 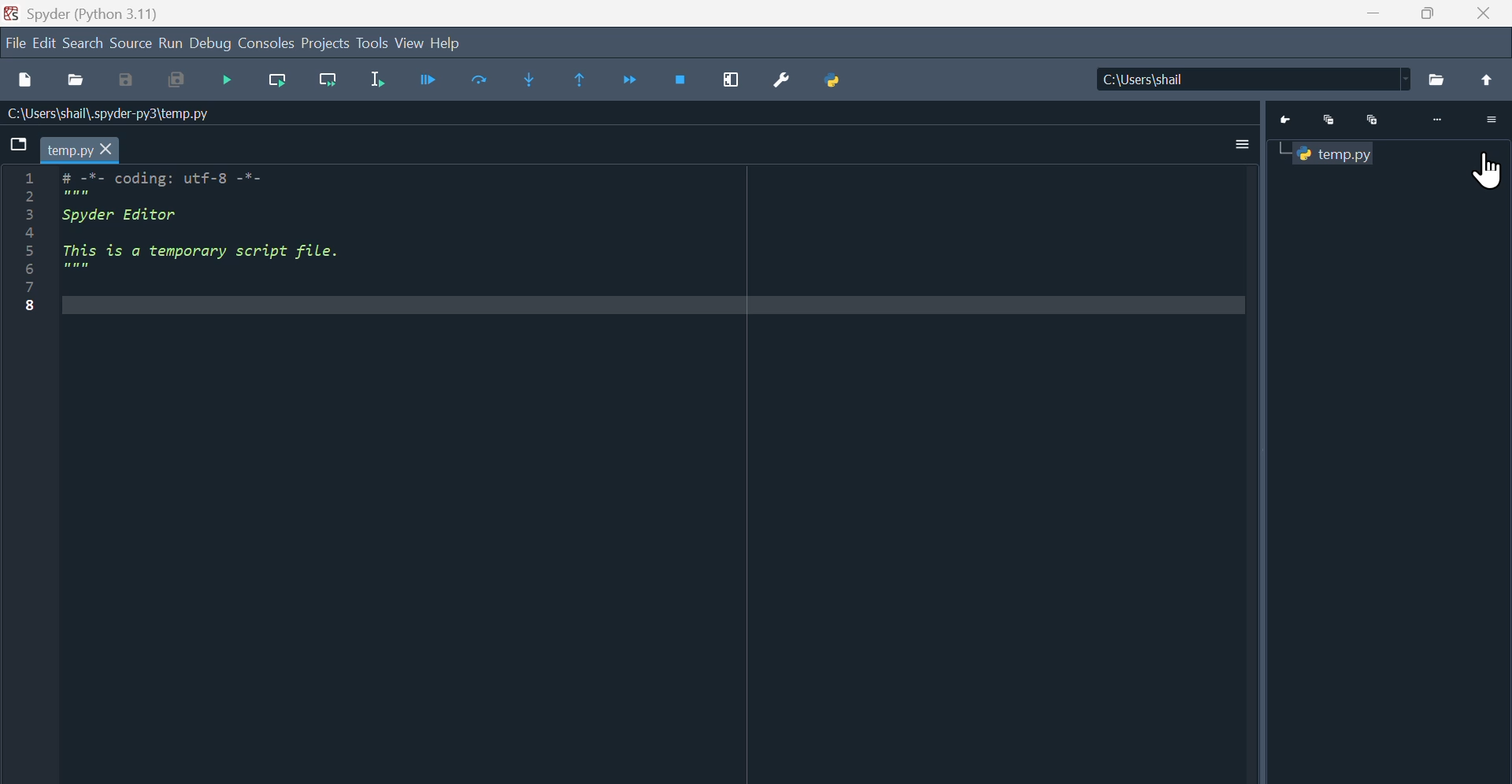 What do you see at coordinates (108, 150) in the screenshot?
I see `close` at bounding box center [108, 150].